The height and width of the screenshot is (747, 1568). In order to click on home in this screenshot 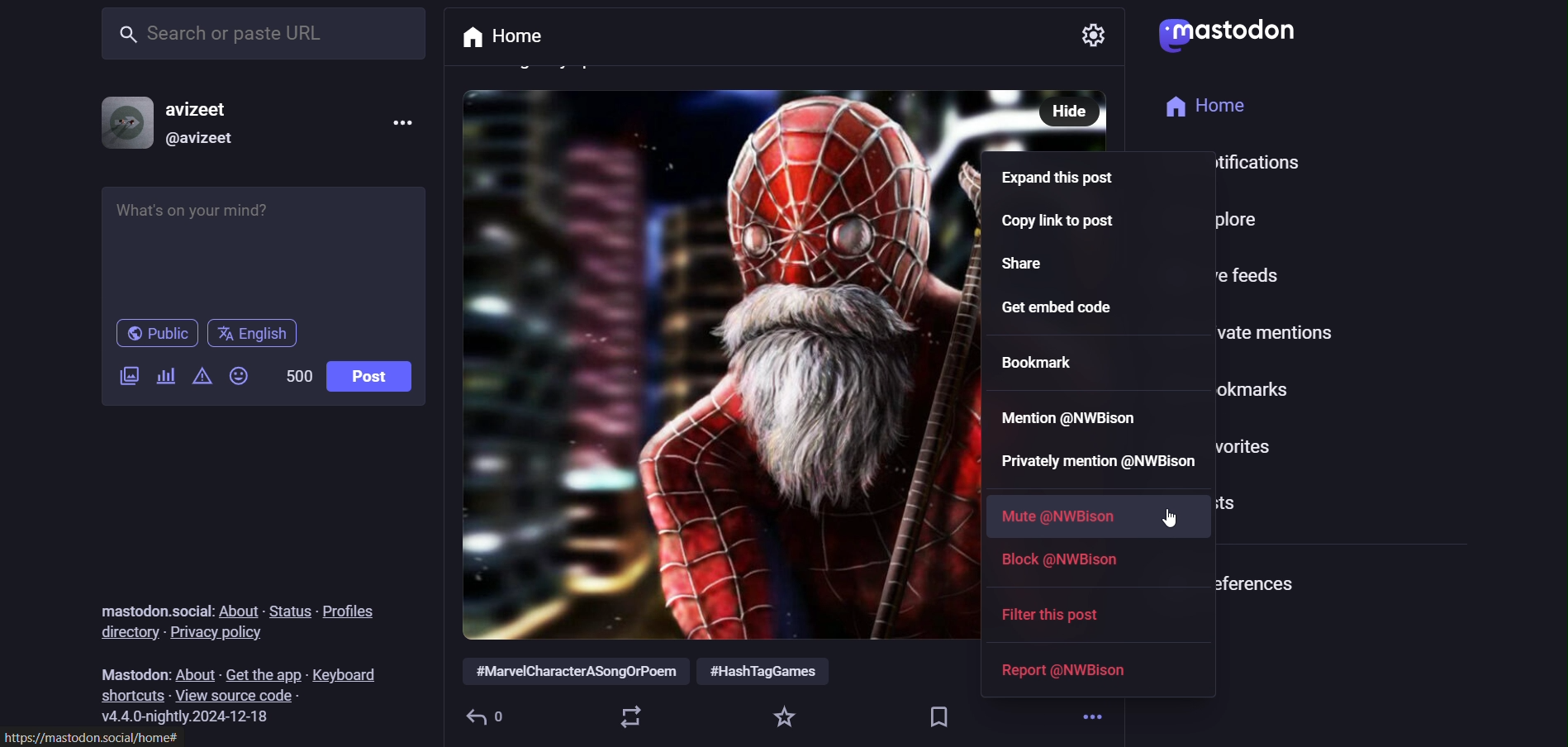, I will do `click(500, 38)`.